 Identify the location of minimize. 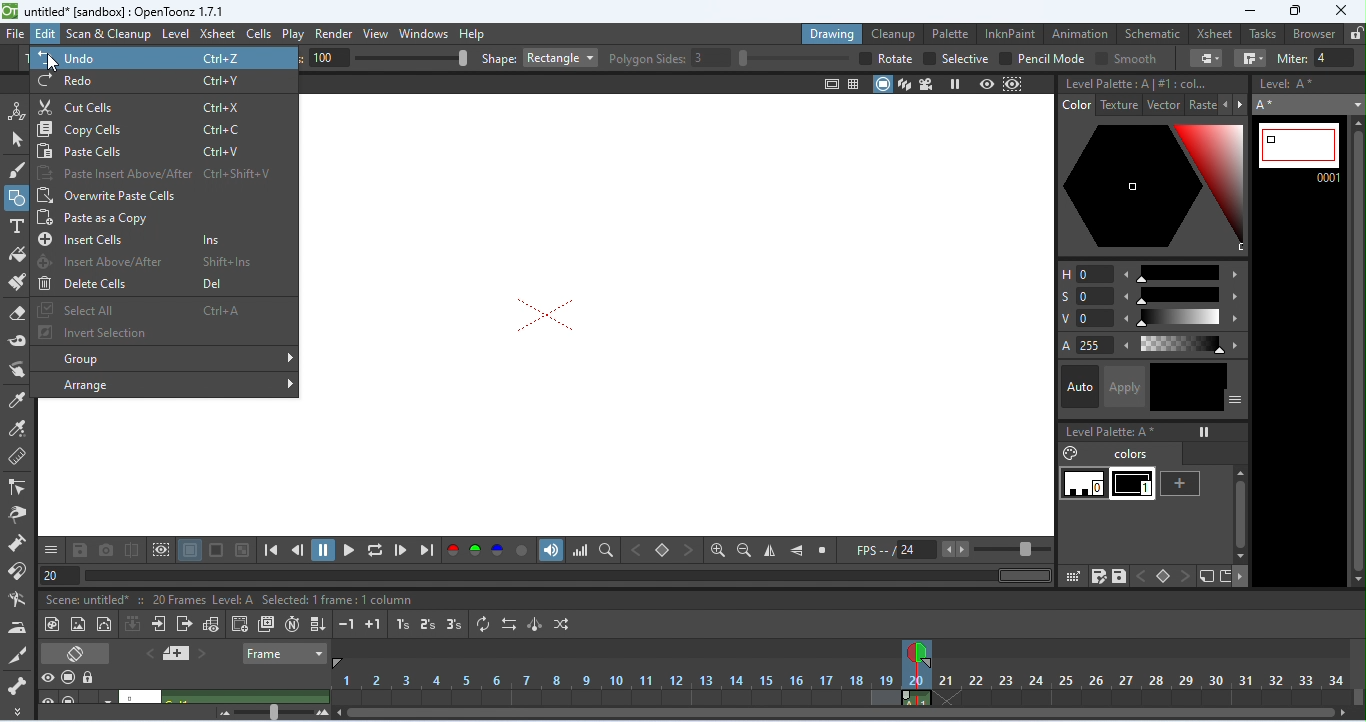
(1250, 12).